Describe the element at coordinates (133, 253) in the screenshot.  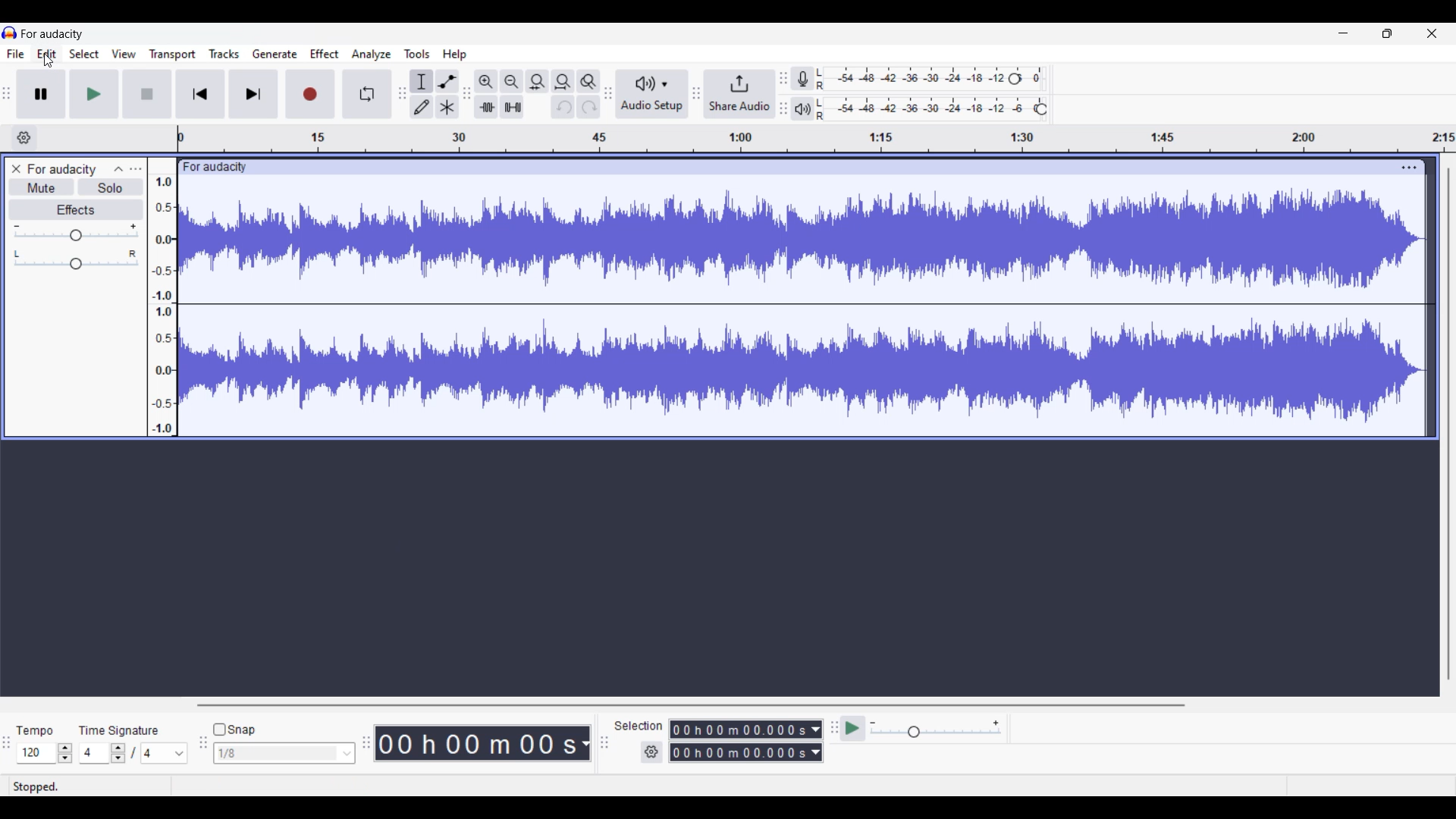
I see `Pan to right` at that location.